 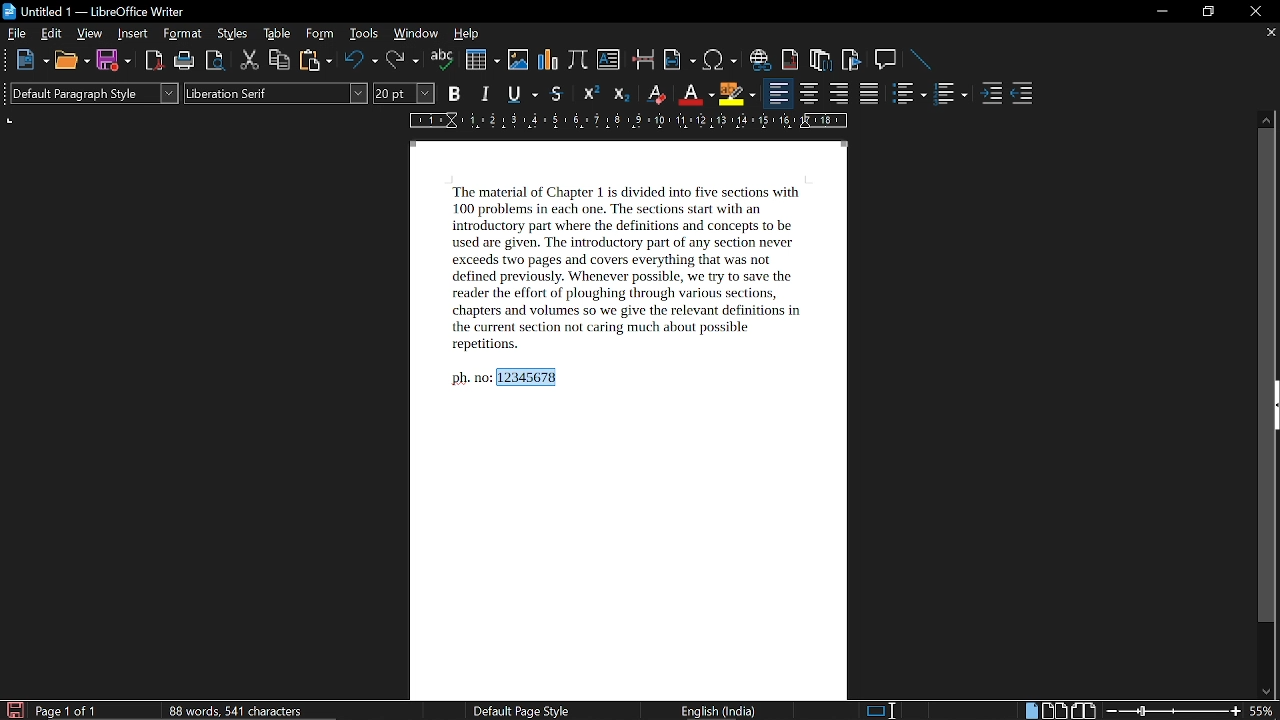 I want to click on insert text, so click(x=610, y=59).